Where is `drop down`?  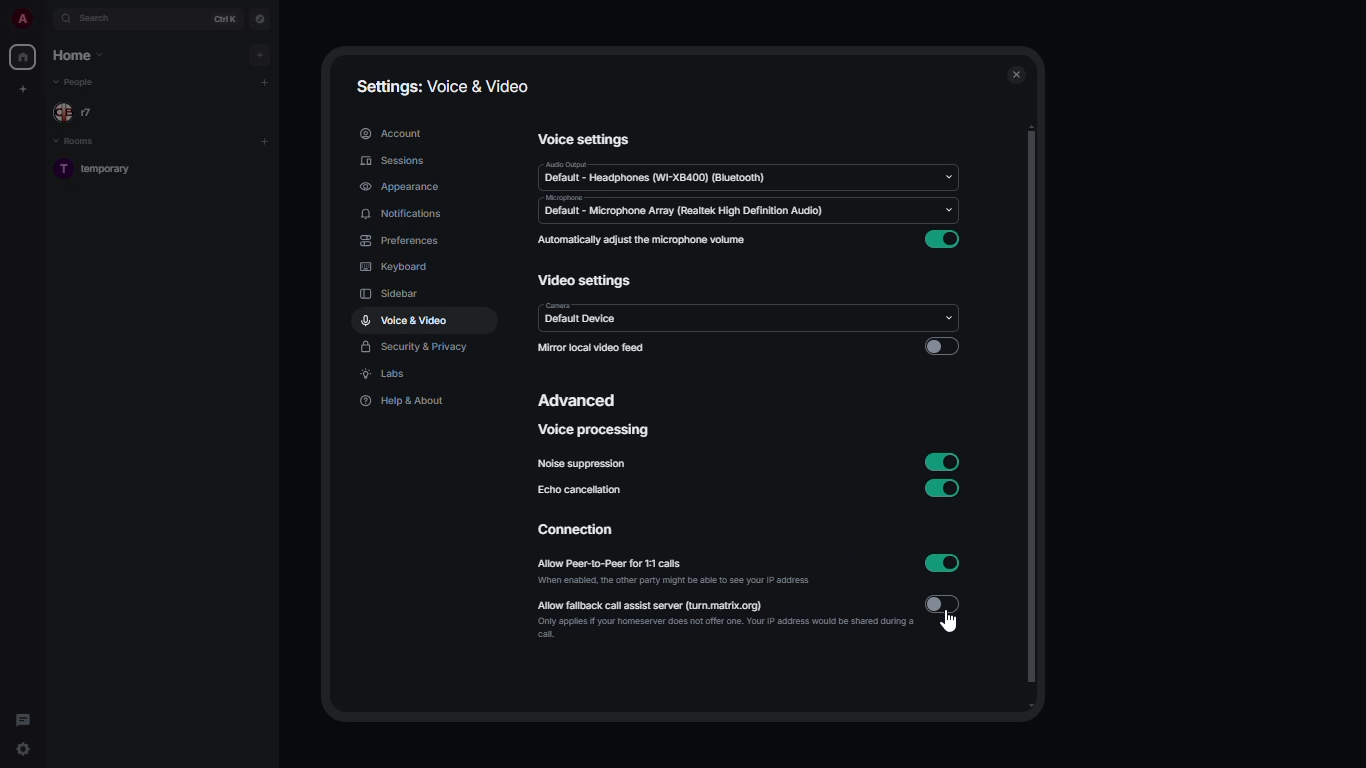
drop down is located at coordinates (945, 318).